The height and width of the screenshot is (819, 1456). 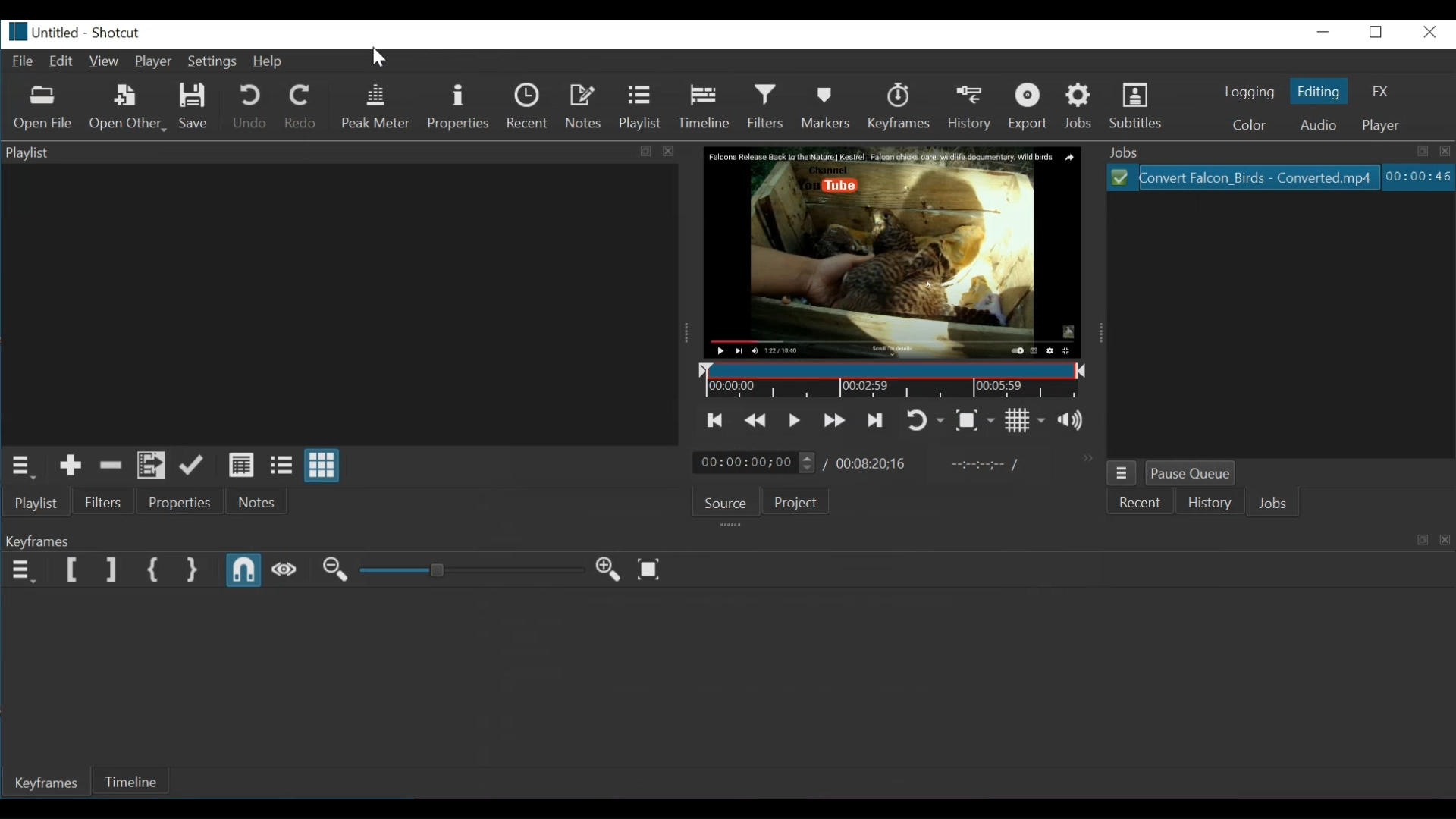 I want to click on Toggle grid display on the player, so click(x=1027, y=420).